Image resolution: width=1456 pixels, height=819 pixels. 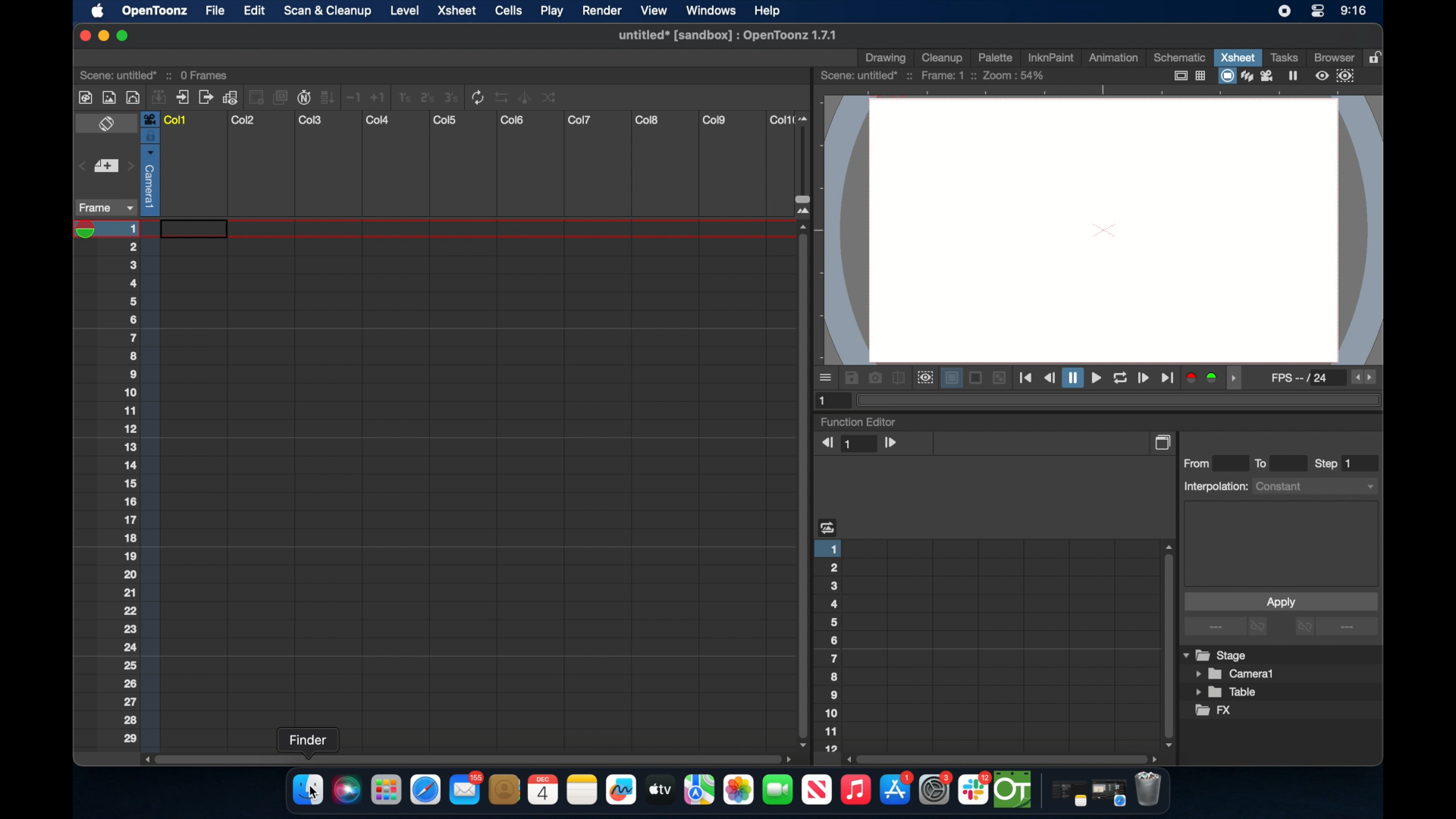 What do you see at coordinates (875, 378) in the screenshot?
I see `snapshot` at bounding box center [875, 378].